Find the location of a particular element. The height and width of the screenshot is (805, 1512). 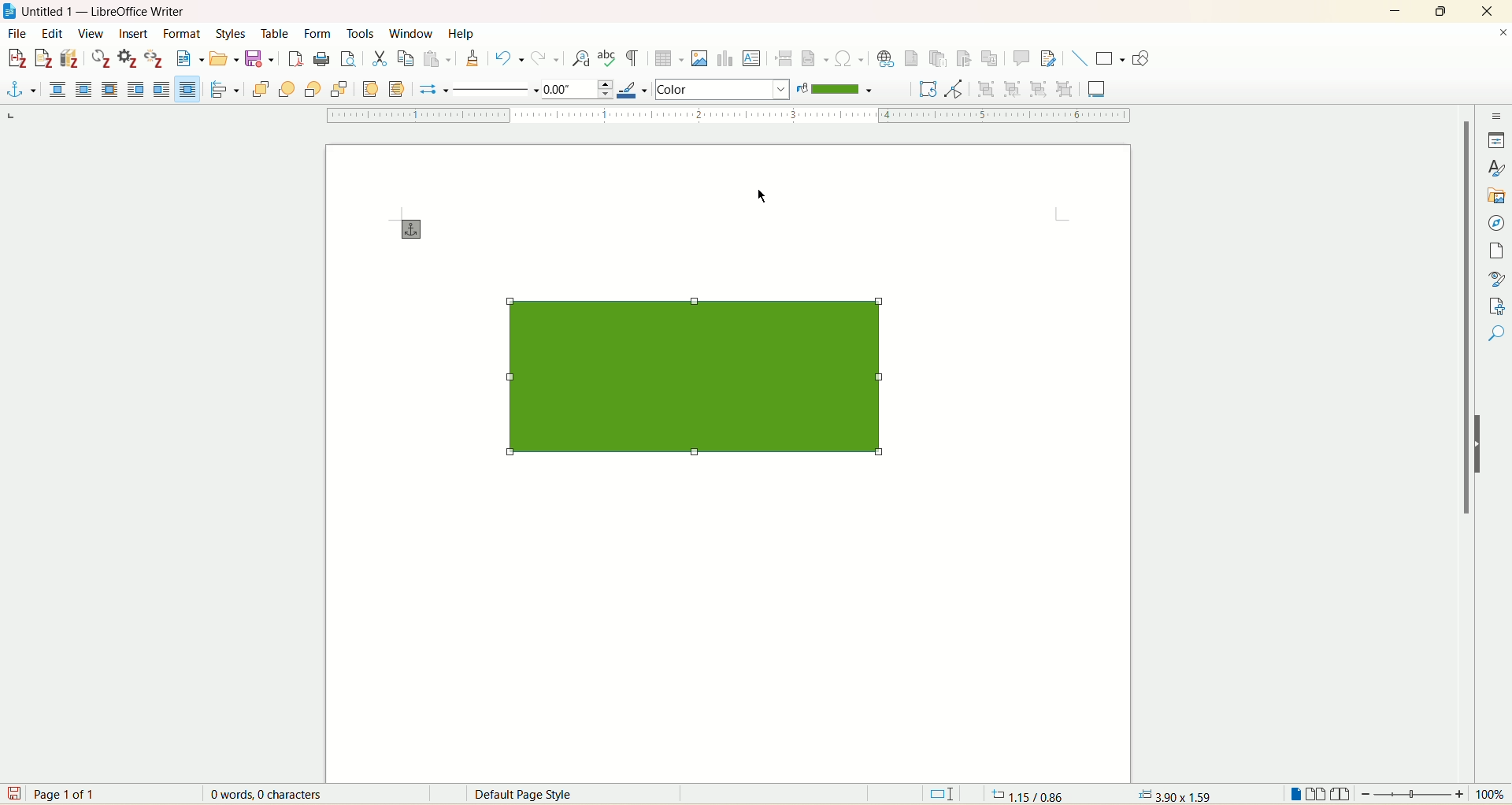

hide is located at coordinates (1477, 446).